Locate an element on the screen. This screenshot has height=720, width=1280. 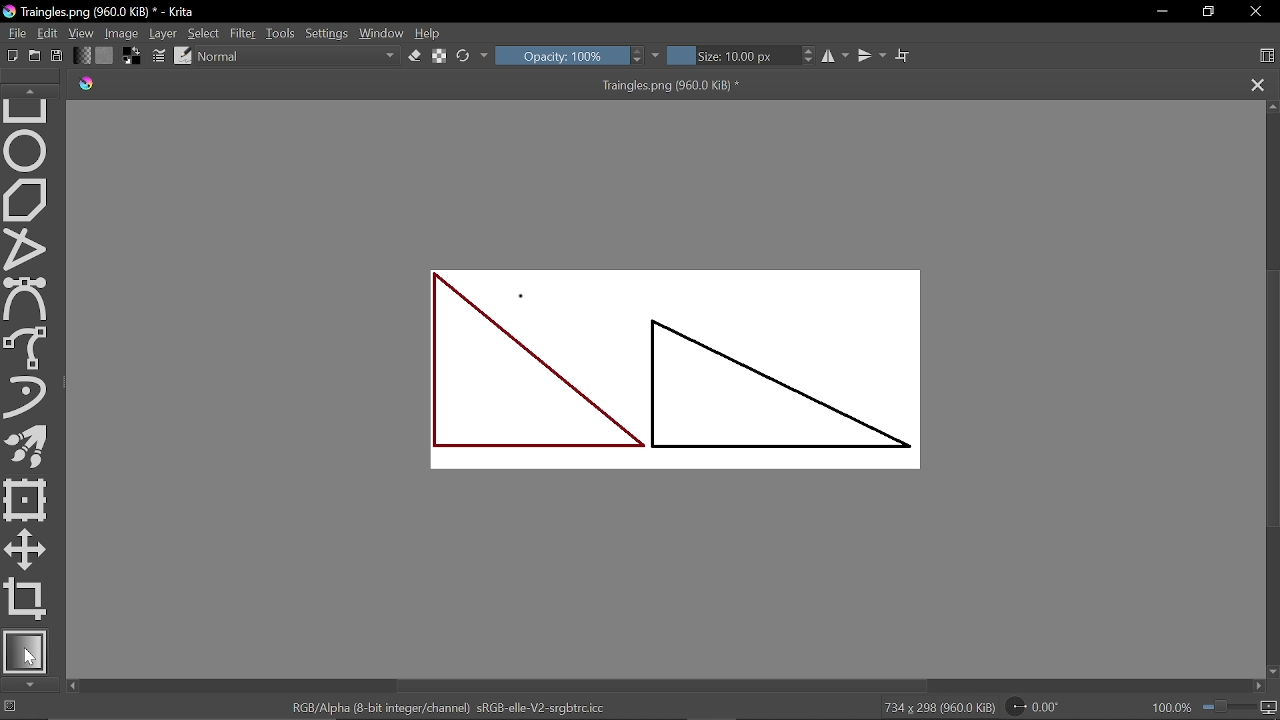
Ellipse tool is located at coordinates (26, 151).